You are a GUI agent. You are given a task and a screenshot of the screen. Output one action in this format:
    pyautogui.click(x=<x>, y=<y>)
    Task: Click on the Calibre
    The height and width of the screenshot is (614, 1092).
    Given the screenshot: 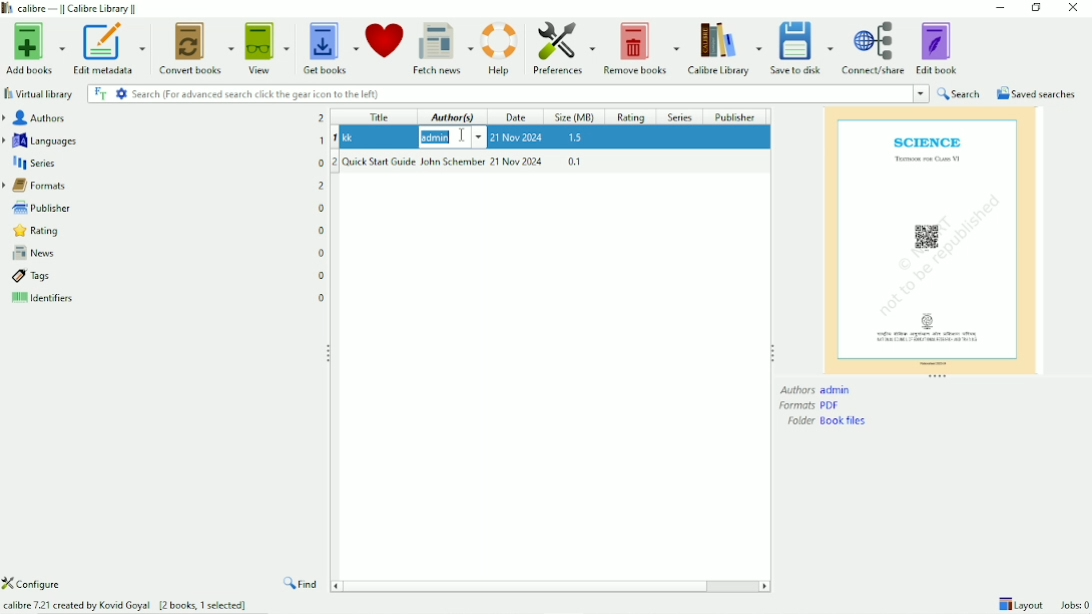 What is the action you would take?
    pyautogui.click(x=724, y=49)
    